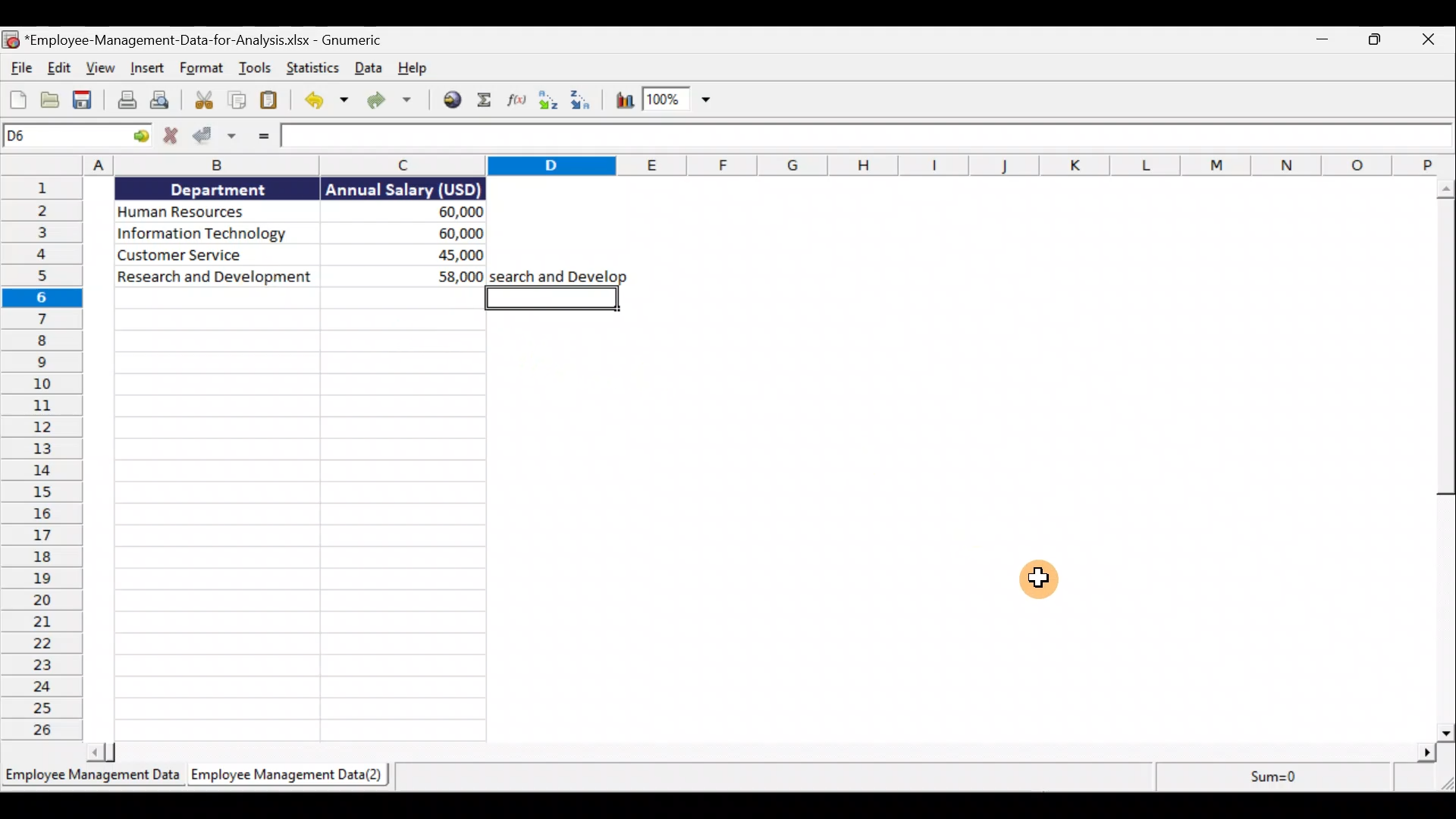 The image size is (1456, 819). What do you see at coordinates (552, 299) in the screenshot?
I see `box` at bounding box center [552, 299].